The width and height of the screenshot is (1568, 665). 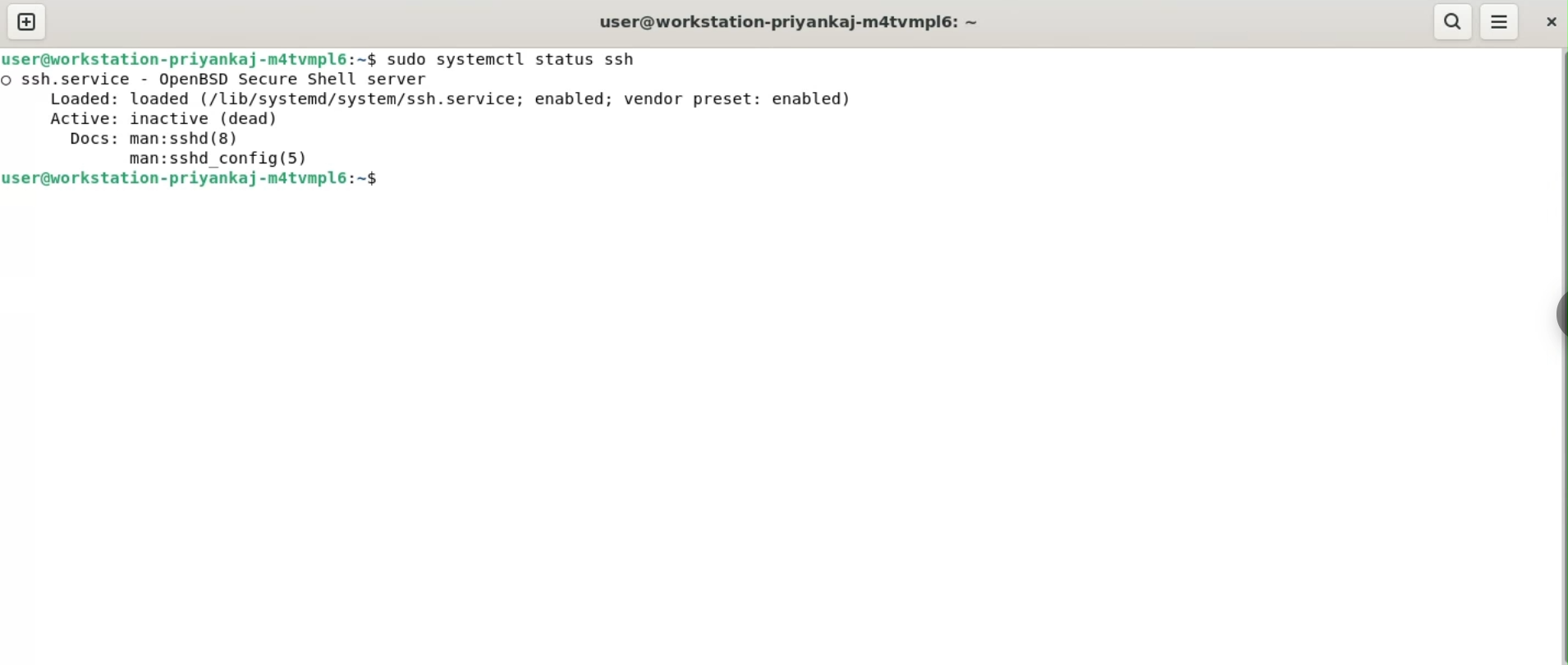 I want to click on user@workstation-priyankaj-m4tvmpl6:~$, so click(x=188, y=58).